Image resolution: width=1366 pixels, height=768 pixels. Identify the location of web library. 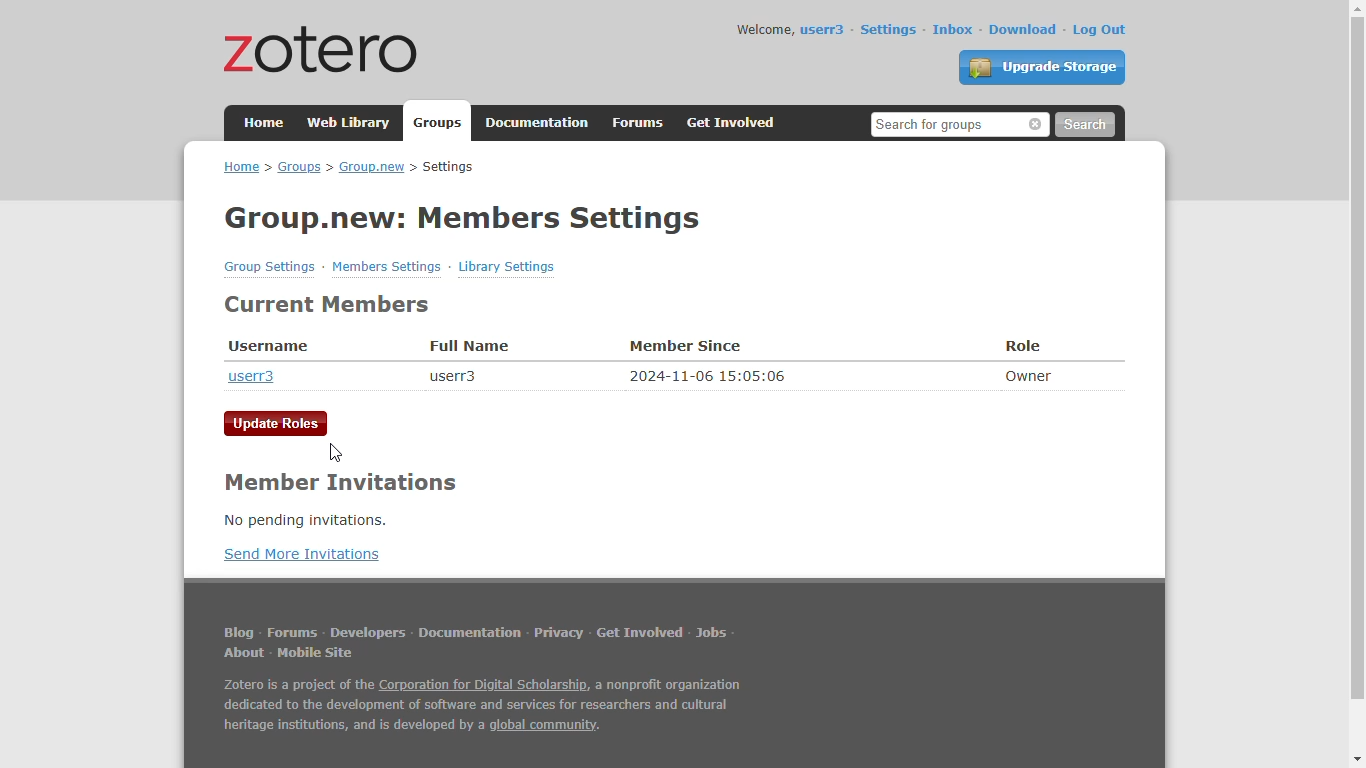
(351, 122).